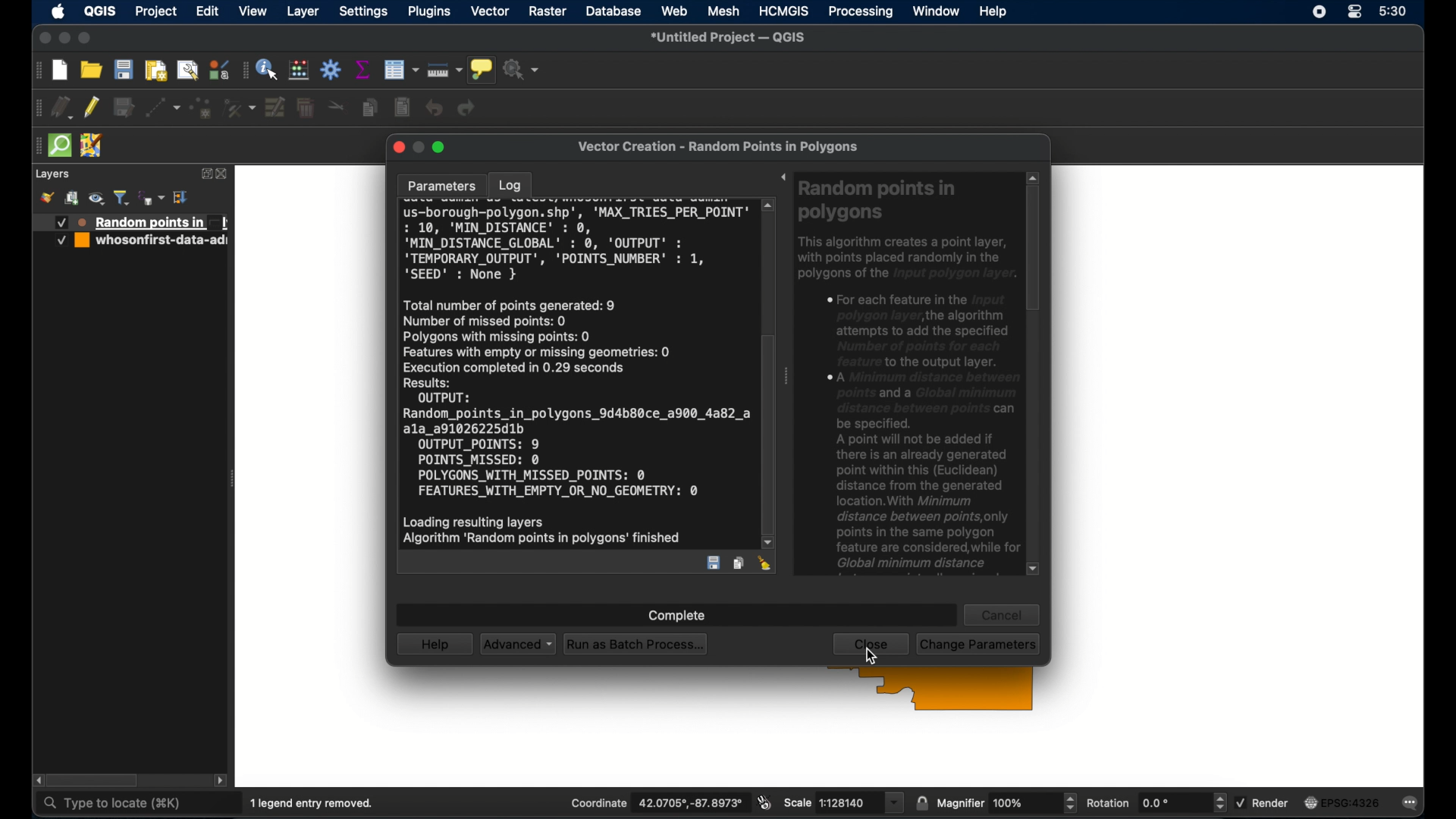 This screenshot has width=1456, height=819. What do you see at coordinates (1033, 568) in the screenshot?
I see `scroll down arrow` at bounding box center [1033, 568].